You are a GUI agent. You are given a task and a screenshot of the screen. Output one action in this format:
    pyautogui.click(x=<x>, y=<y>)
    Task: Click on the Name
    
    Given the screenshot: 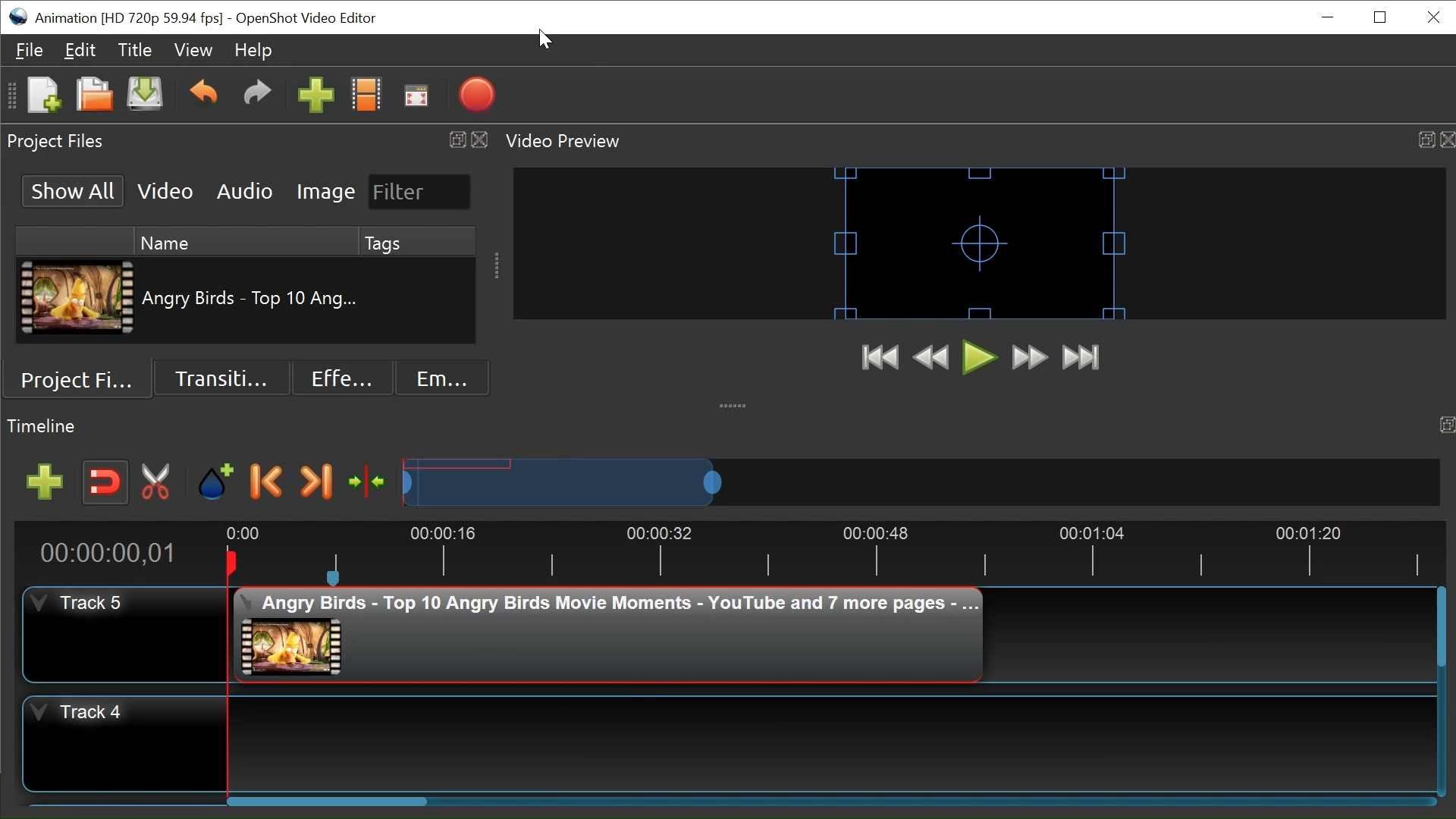 What is the action you would take?
    pyautogui.click(x=243, y=243)
    